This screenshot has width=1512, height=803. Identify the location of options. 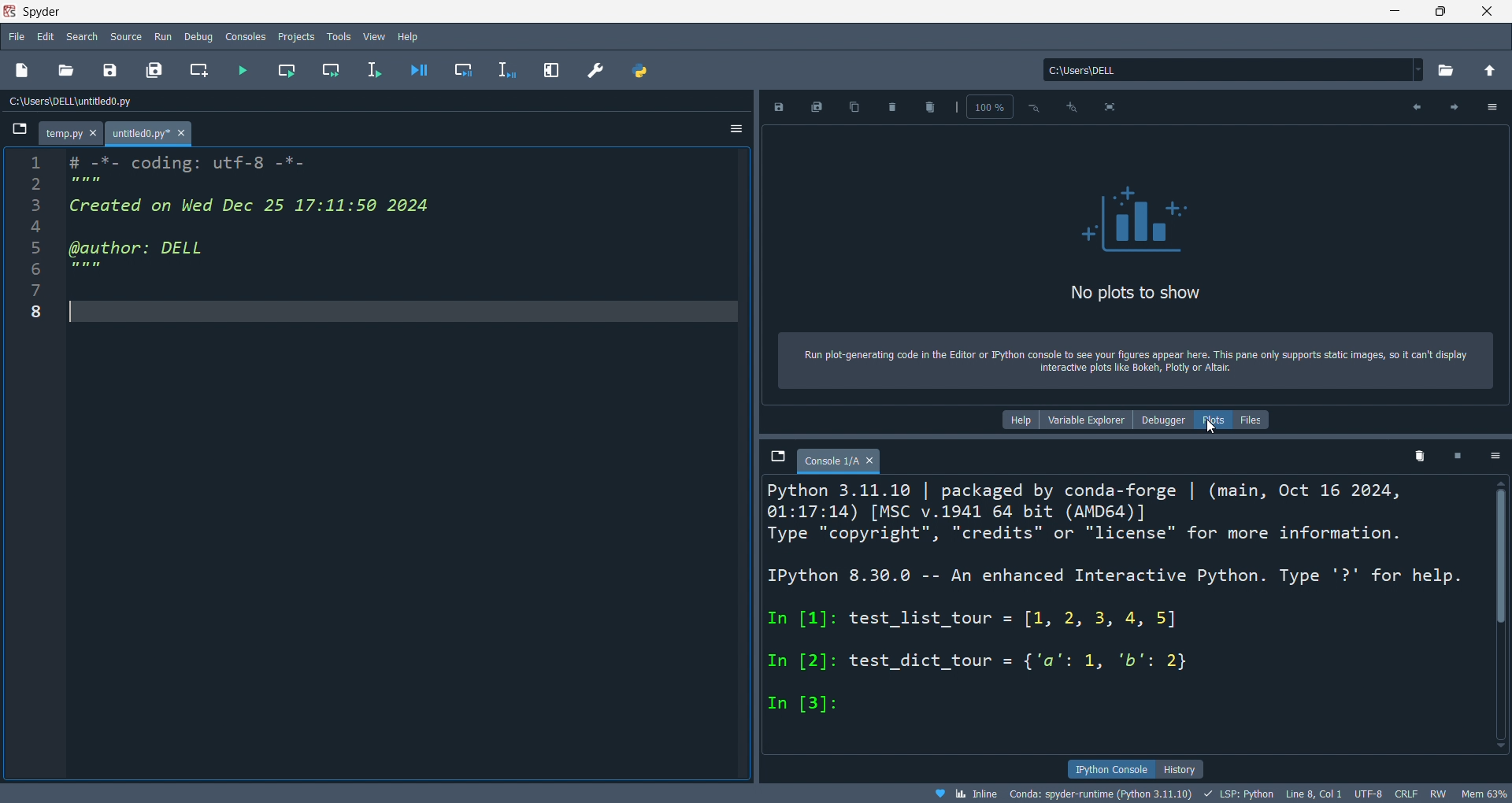
(1493, 457).